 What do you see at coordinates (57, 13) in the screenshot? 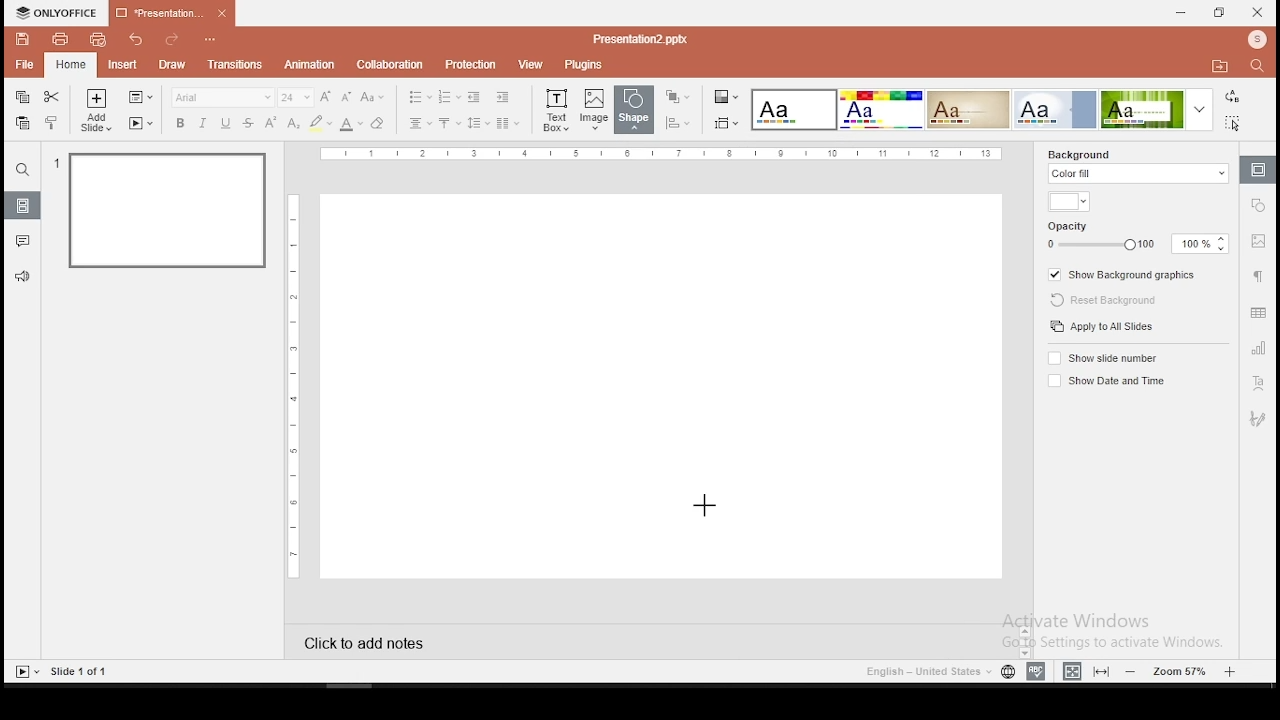
I see `icon` at bounding box center [57, 13].